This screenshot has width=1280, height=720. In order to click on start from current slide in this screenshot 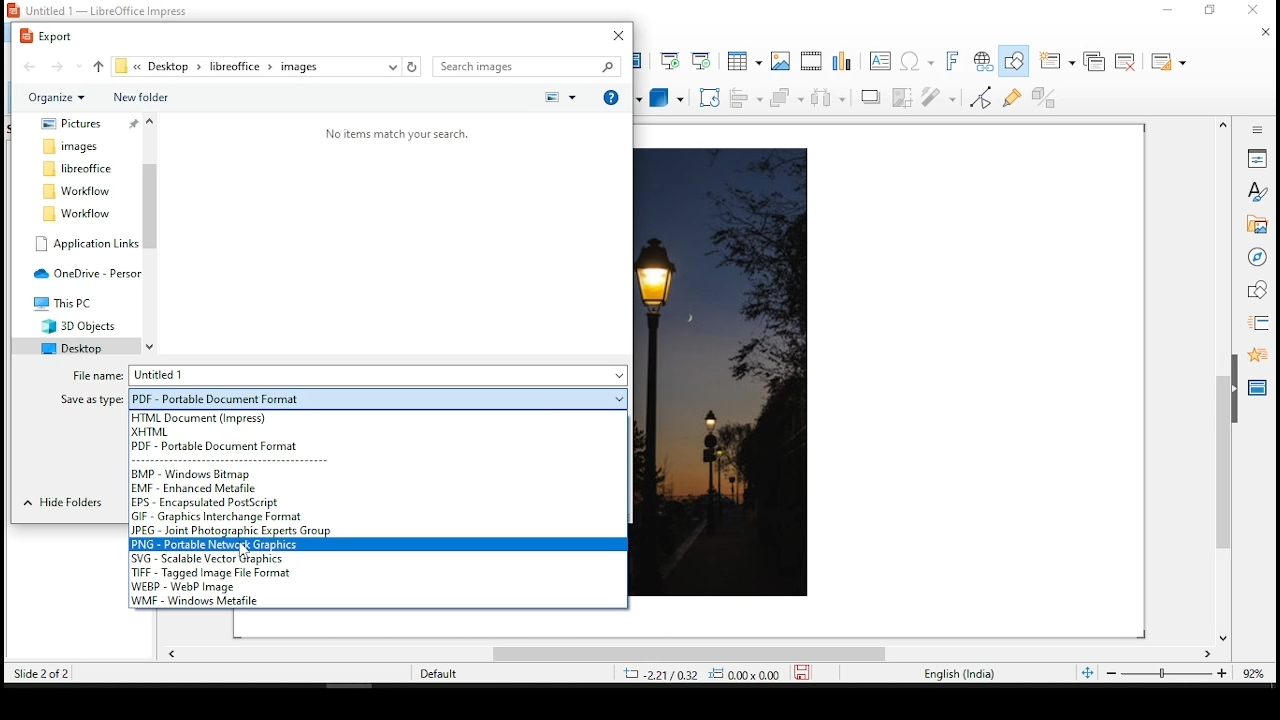, I will do `click(703, 59)`.